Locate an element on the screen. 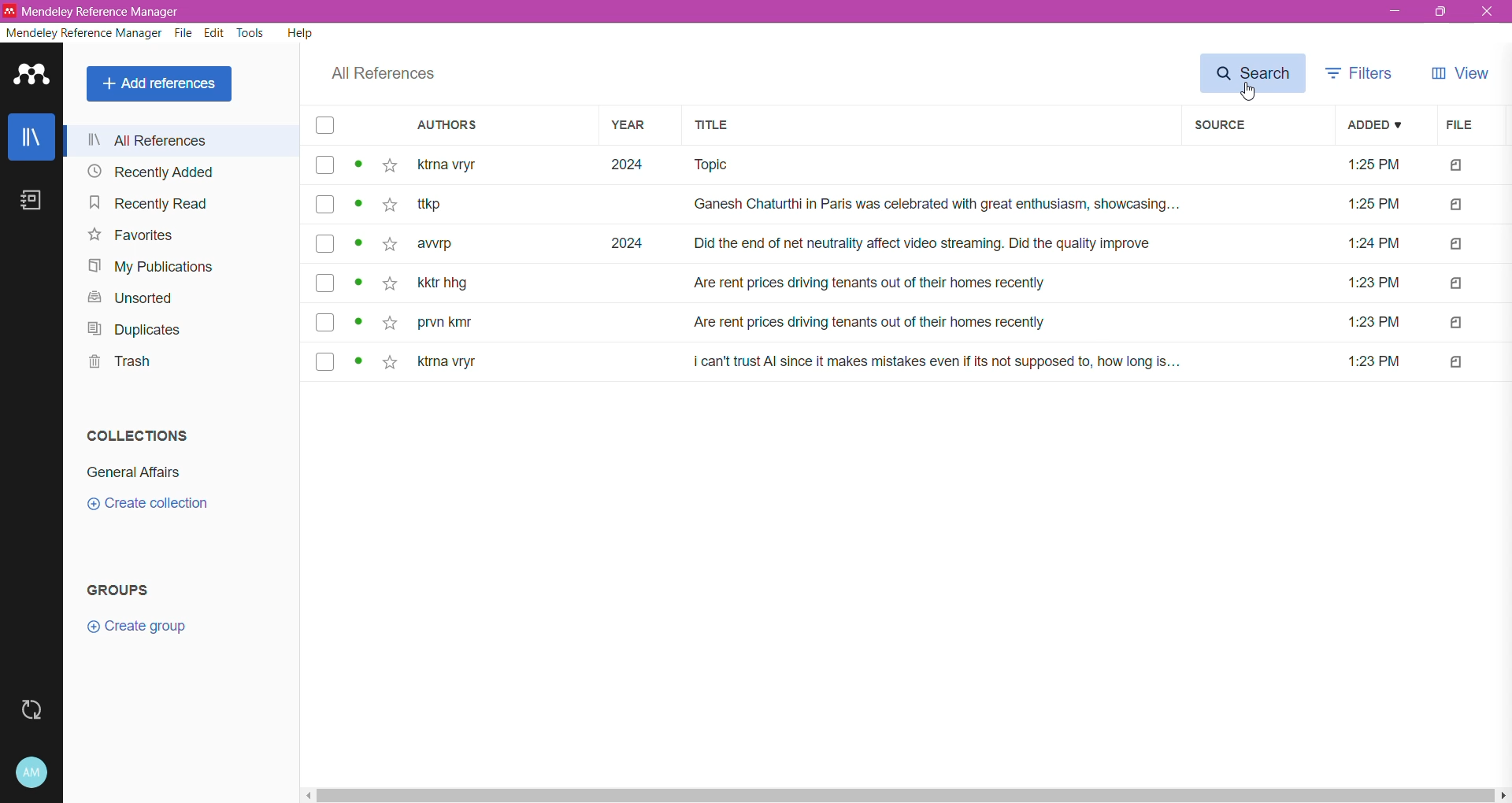  file type is located at coordinates (1457, 363).